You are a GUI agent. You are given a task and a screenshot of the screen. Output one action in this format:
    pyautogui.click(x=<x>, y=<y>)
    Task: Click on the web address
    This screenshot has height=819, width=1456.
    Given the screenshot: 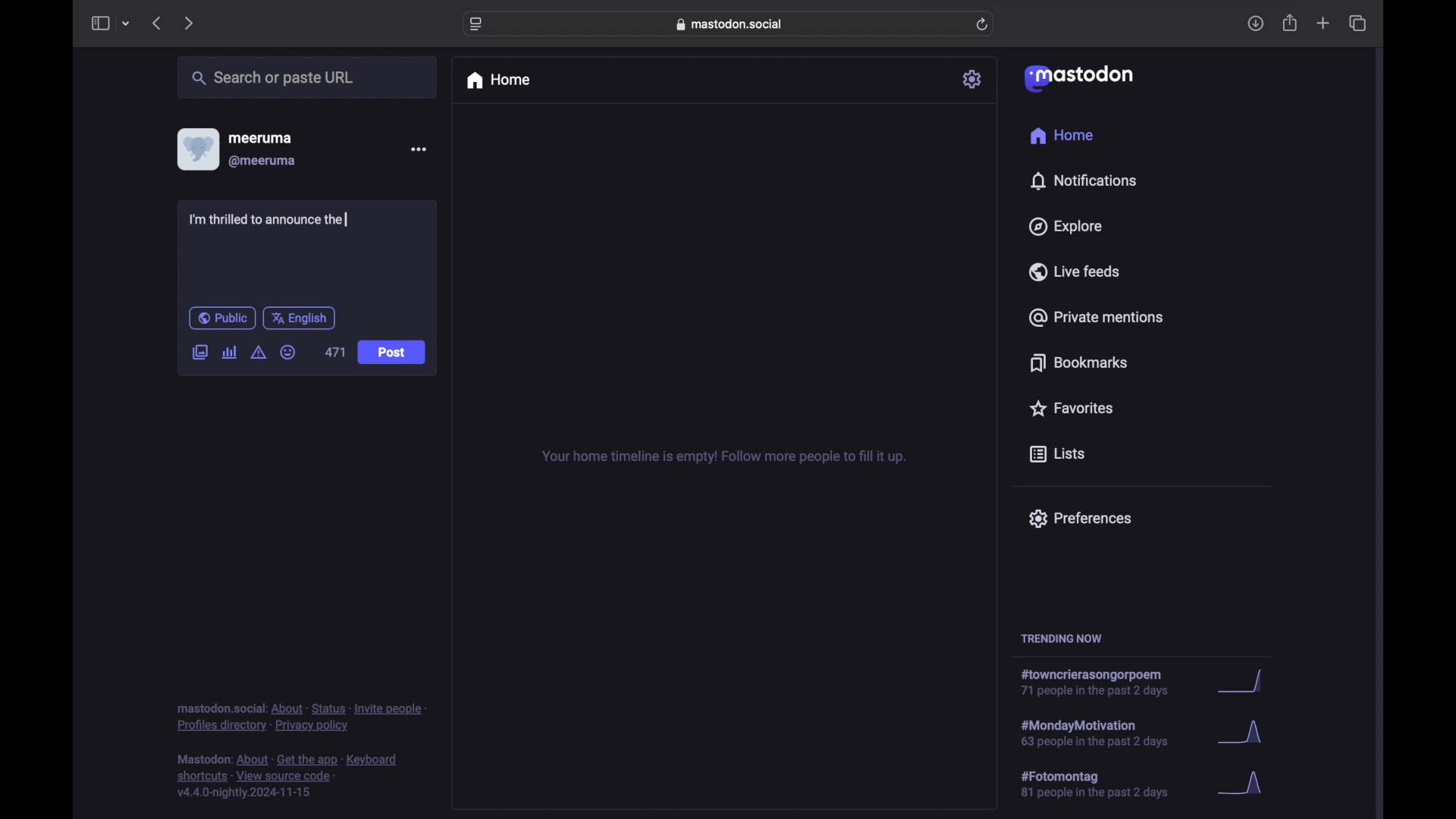 What is the action you would take?
    pyautogui.click(x=730, y=24)
    